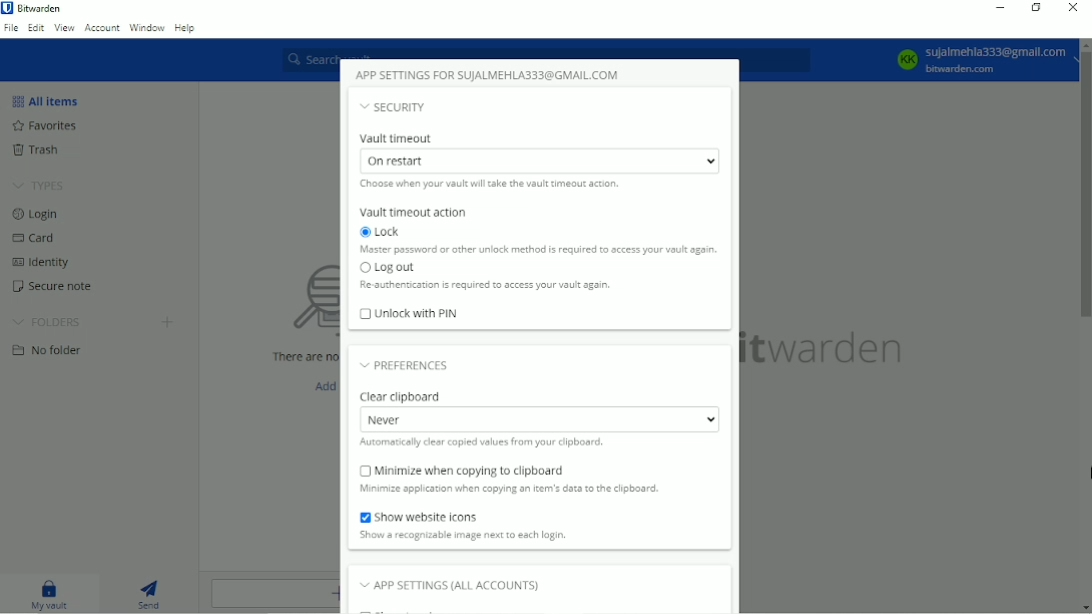 Image resolution: width=1092 pixels, height=614 pixels. I want to click on Minimize when copying to clipboard, so click(511, 470).